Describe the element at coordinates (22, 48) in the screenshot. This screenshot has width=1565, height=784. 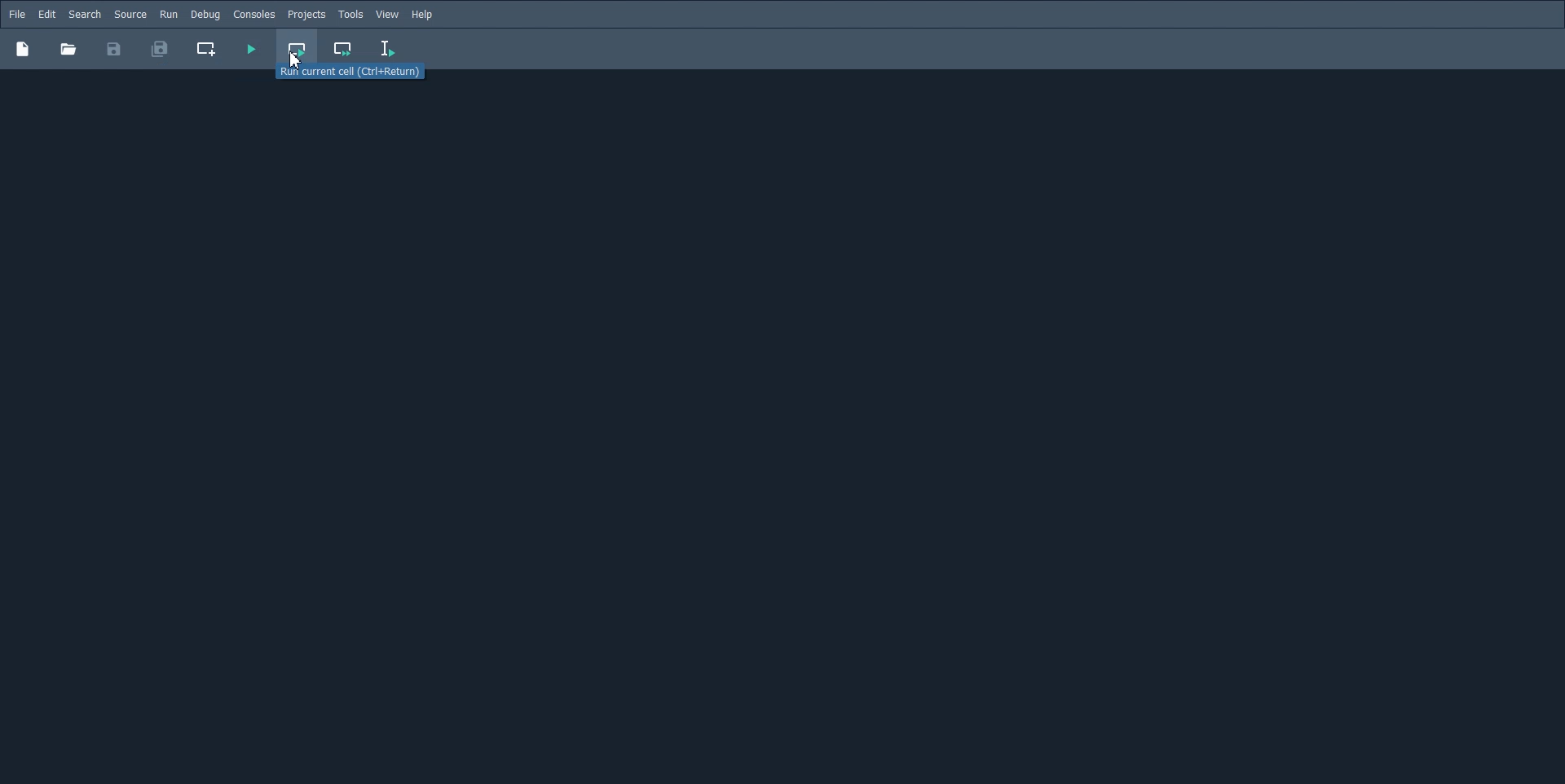
I see `New file` at that location.